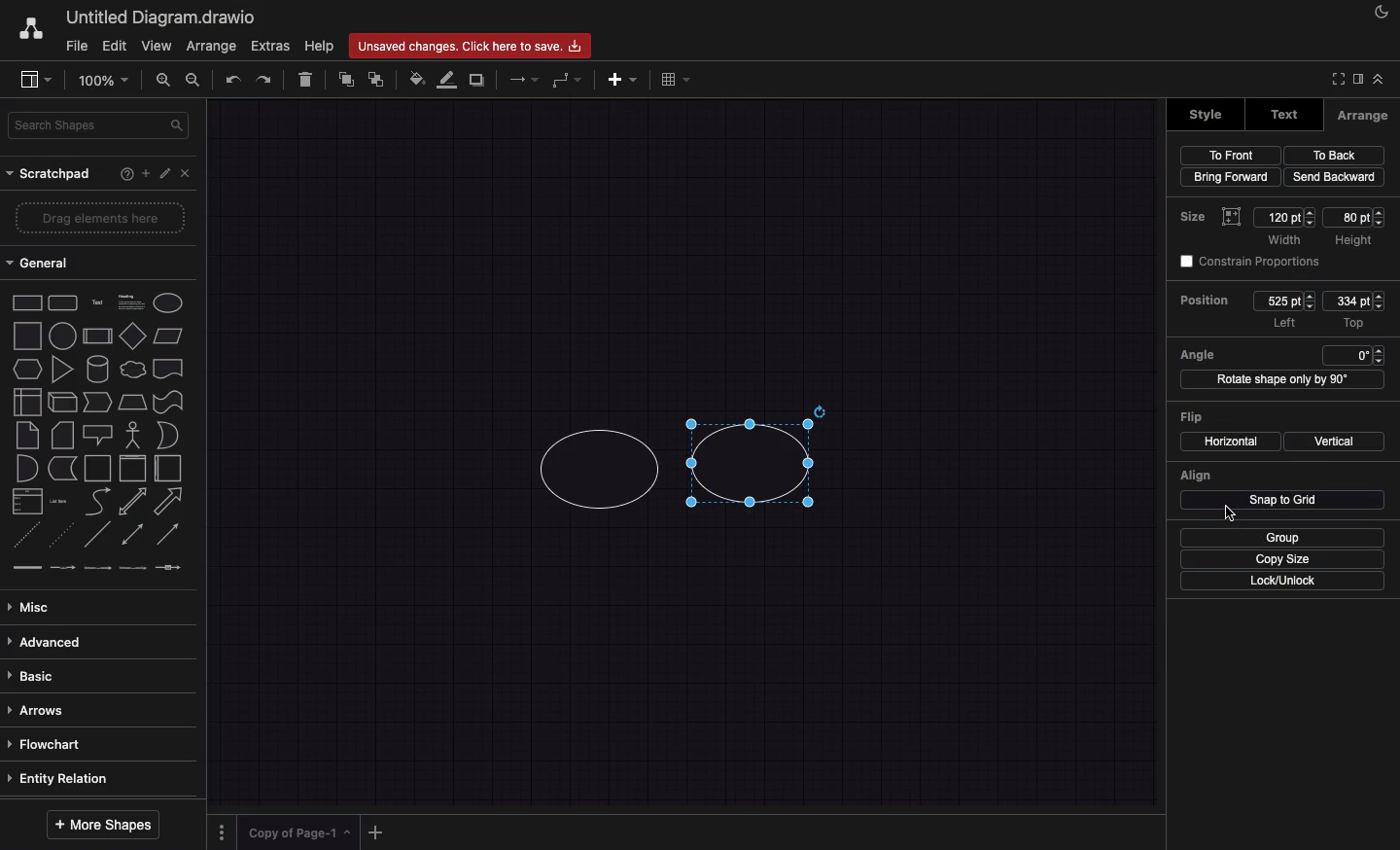 The height and width of the screenshot is (850, 1400). What do you see at coordinates (169, 370) in the screenshot?
I see `document` at bounding box center [169, 370].